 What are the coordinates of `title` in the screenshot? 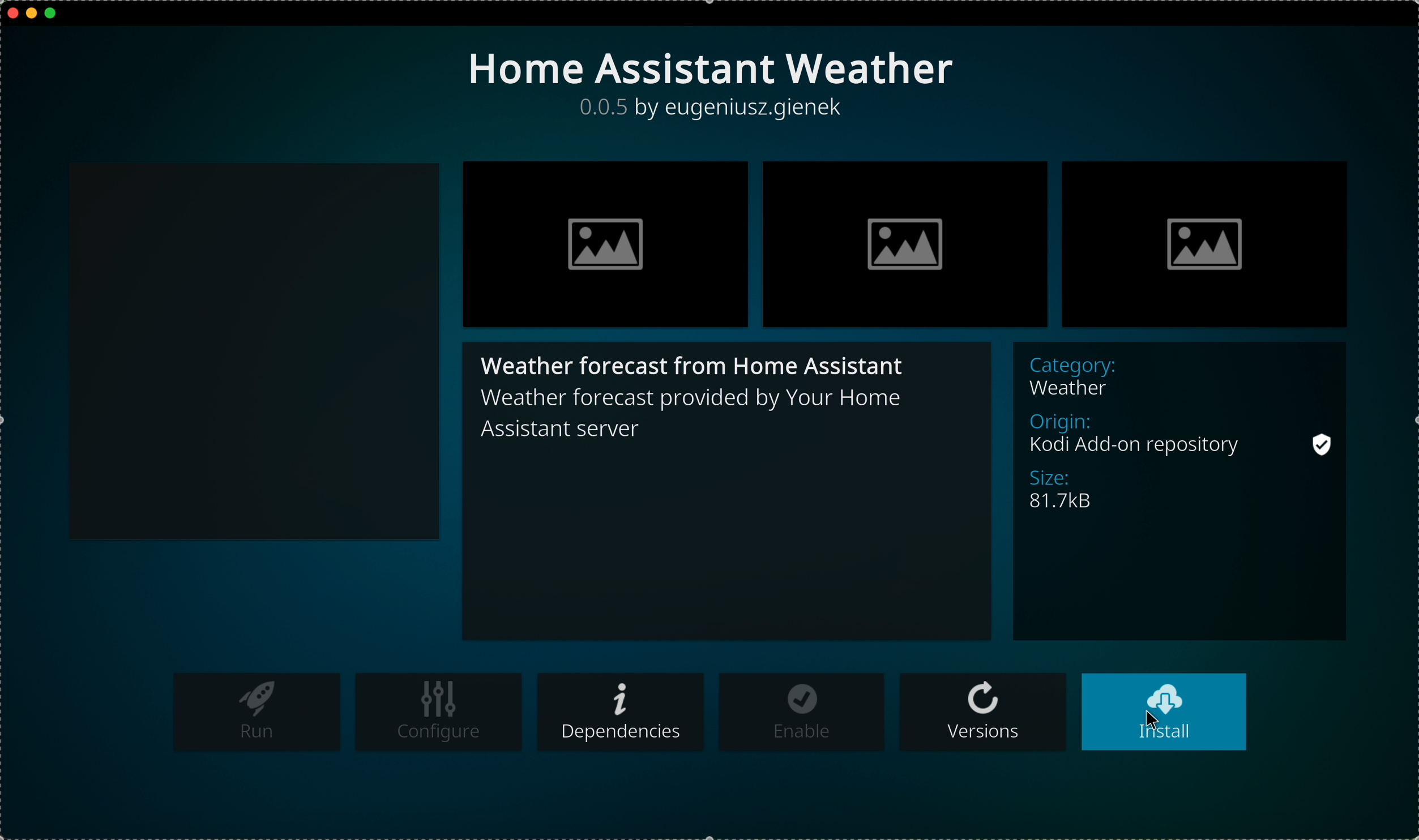 It's located at (711, 68).